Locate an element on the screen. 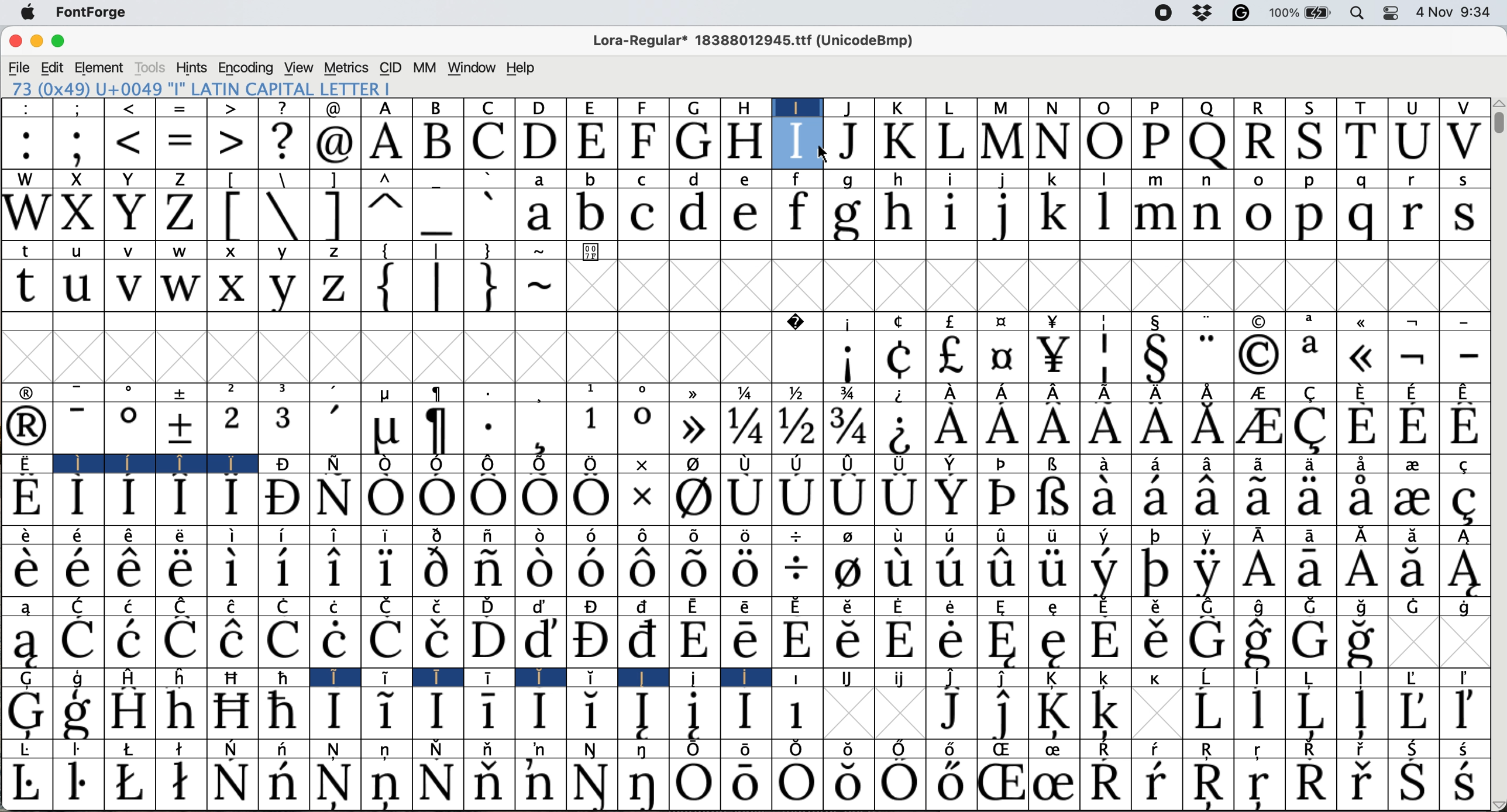 This screenshot has height=812, width=1507. Symbol is located at coordinates (1000, 713).